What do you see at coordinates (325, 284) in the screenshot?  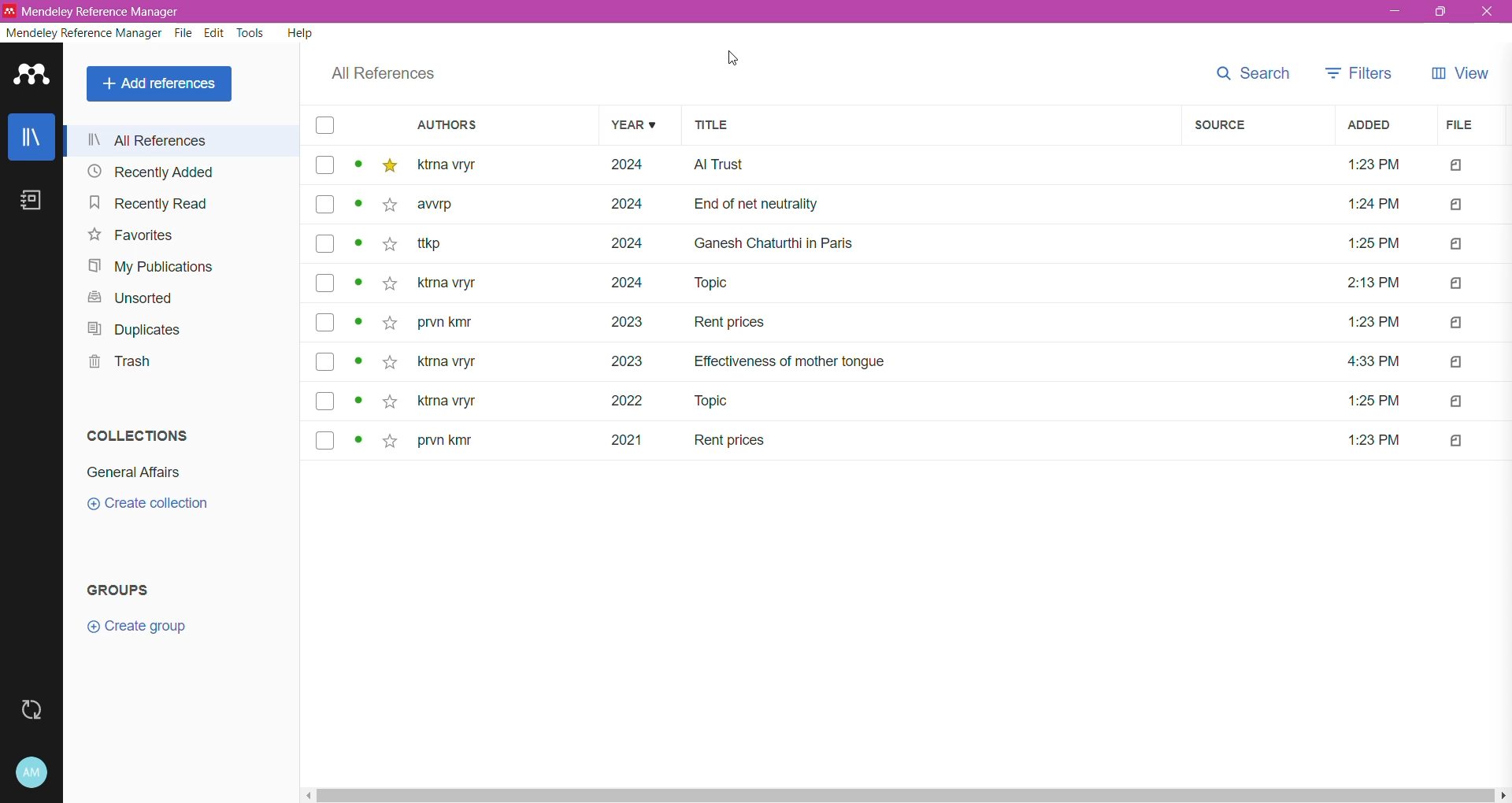 I see `select` at bounding box center [325, 284].